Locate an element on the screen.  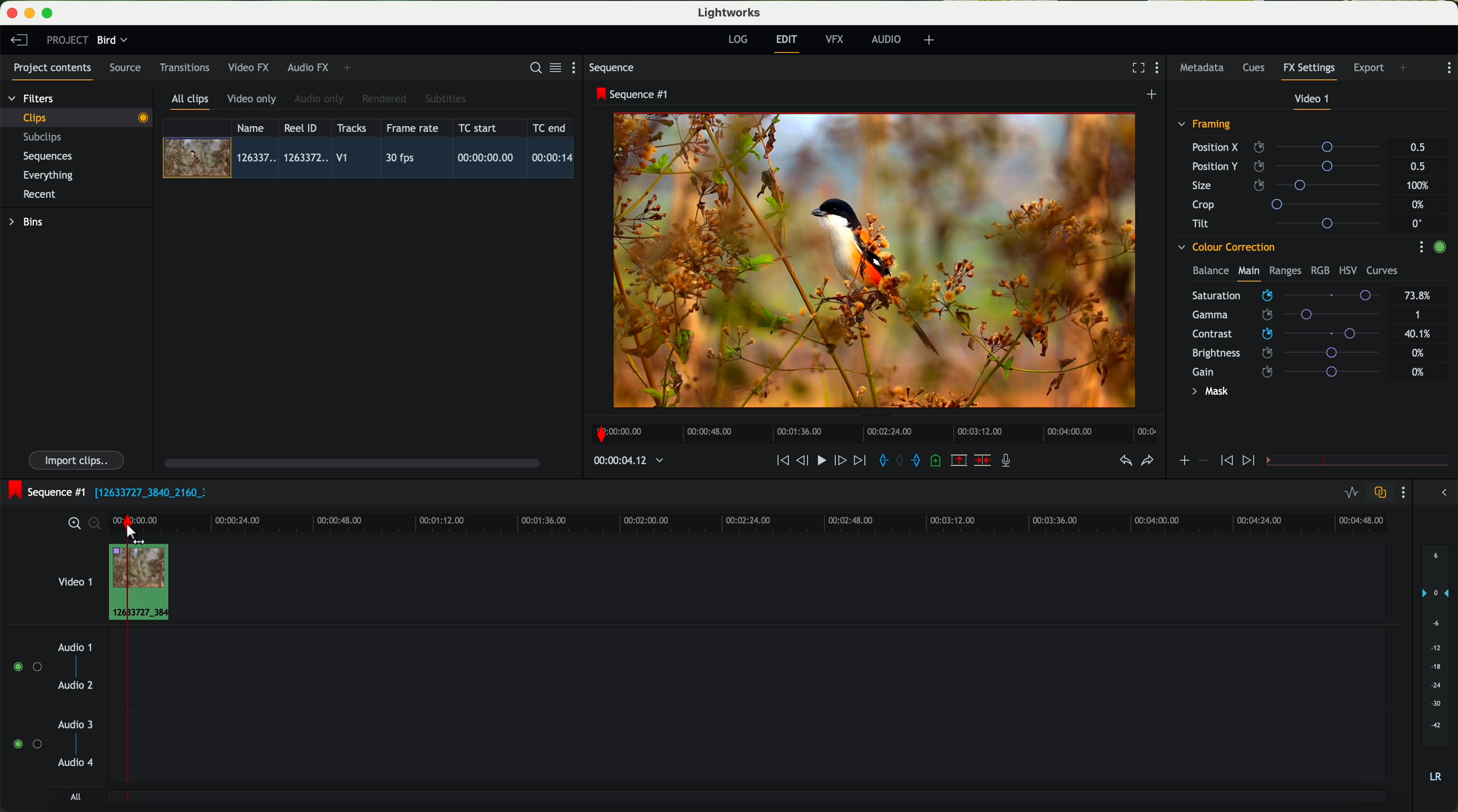
0.5 is located at coordinates (1417, 166).